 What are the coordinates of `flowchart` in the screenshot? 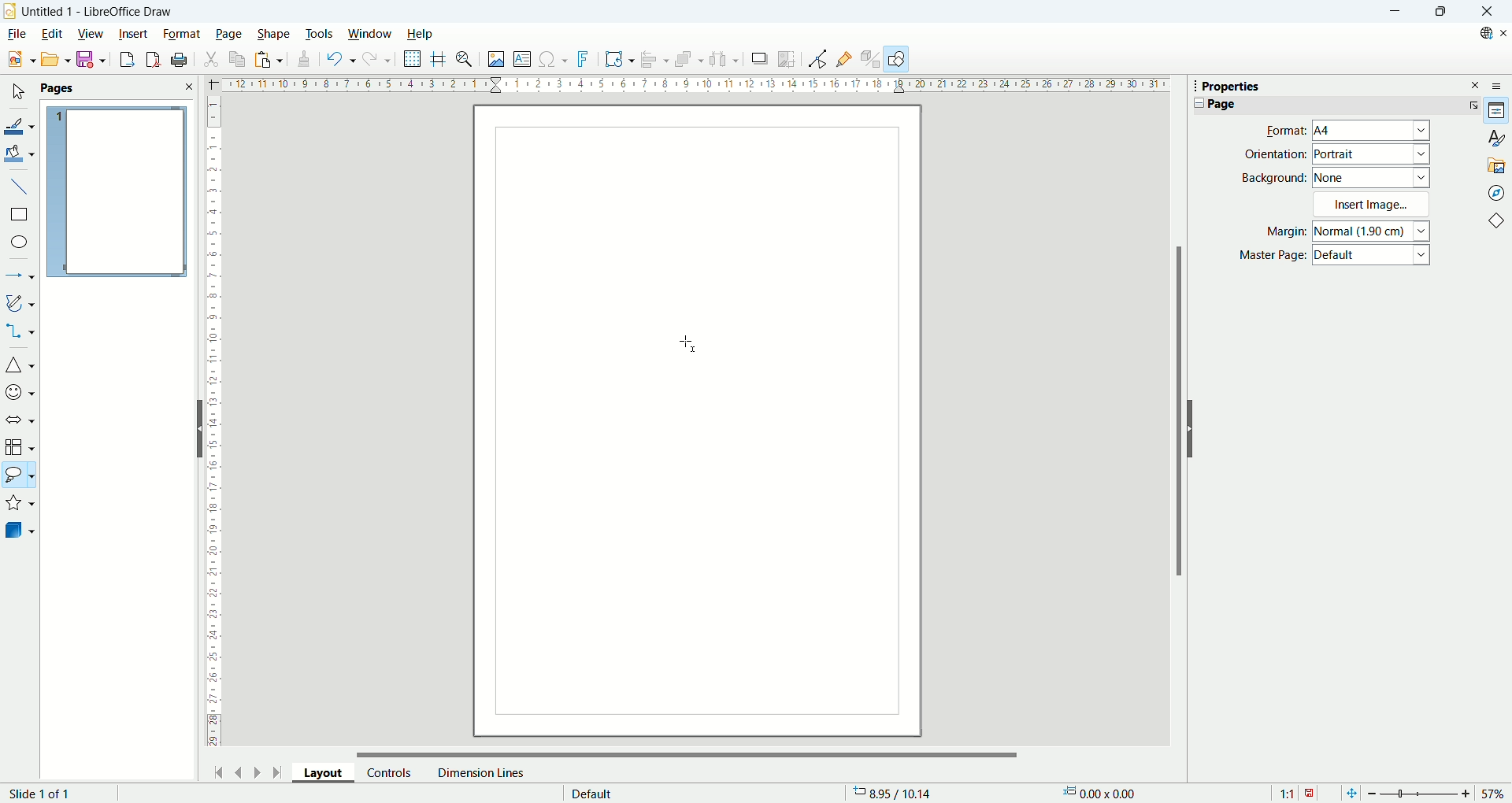 It's located at (20, 447).